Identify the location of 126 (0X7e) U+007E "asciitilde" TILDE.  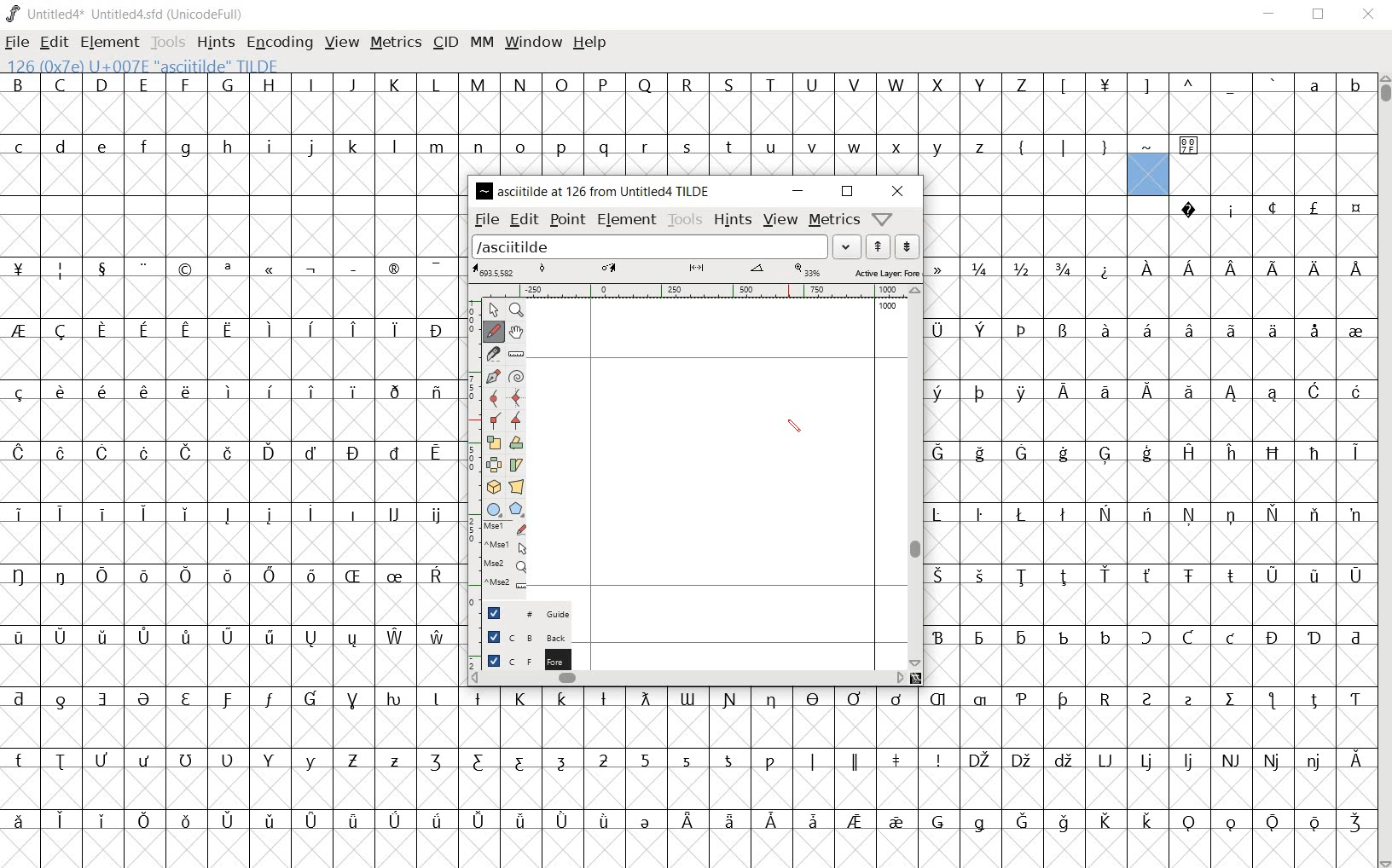
(1148, 174).